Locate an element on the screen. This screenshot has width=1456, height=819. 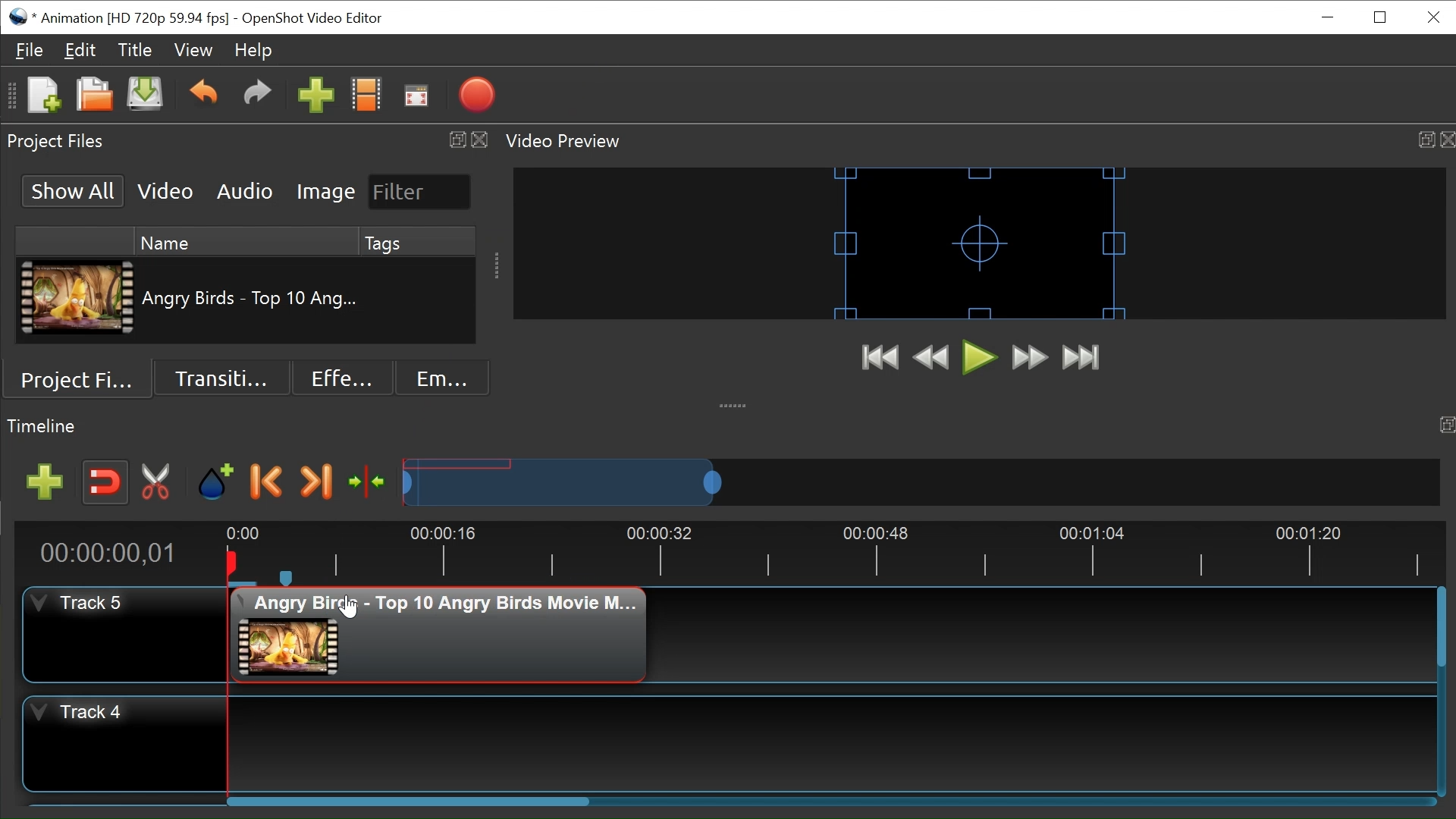
Toggle Pay or pause is located at coordinates (980, 358).